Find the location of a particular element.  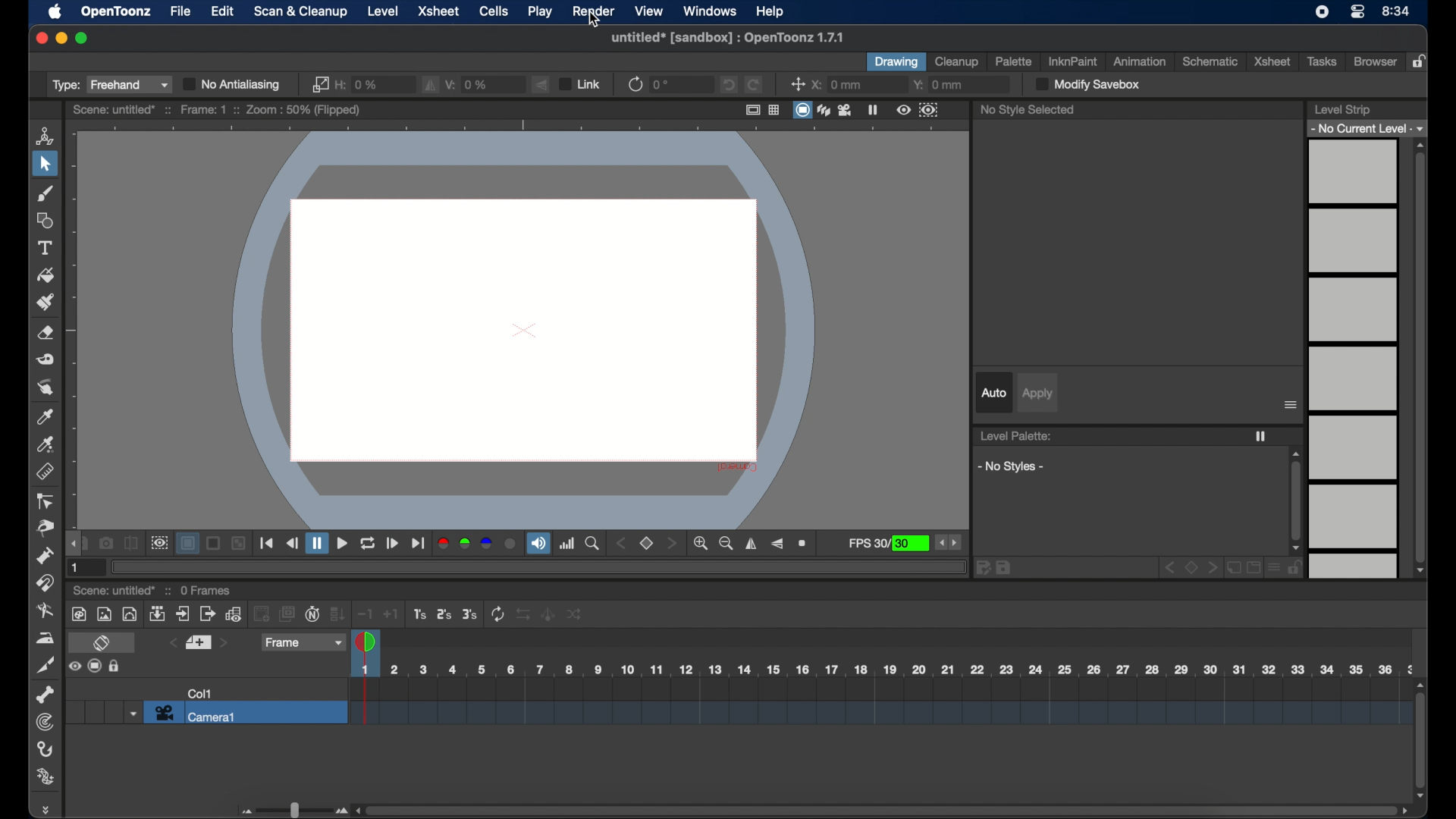

drag handle is located at coordinates (49, 809).